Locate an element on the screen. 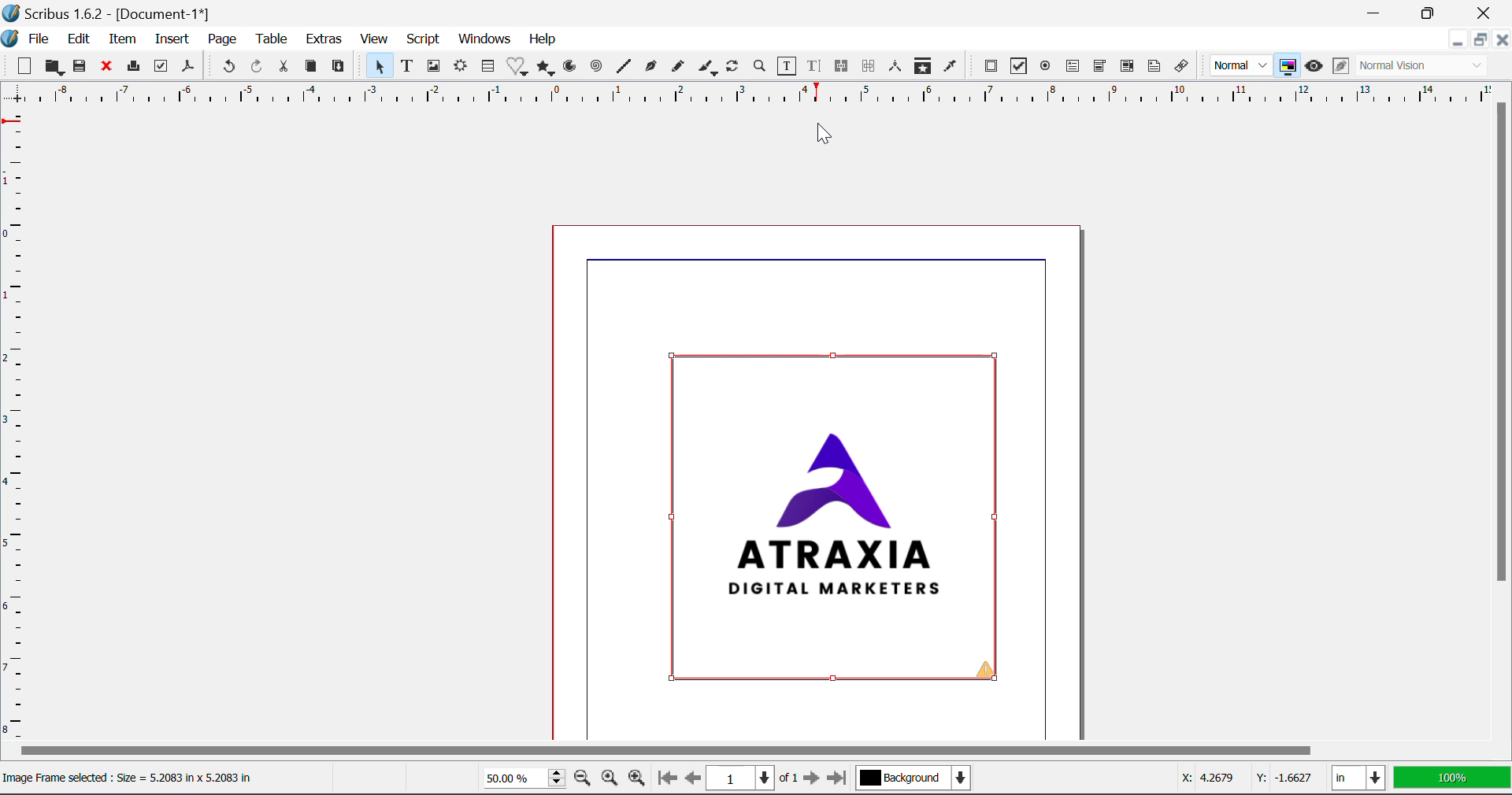 The height and width of the screenshot is (795, 1512). Open is located at coordinates (54, 68).